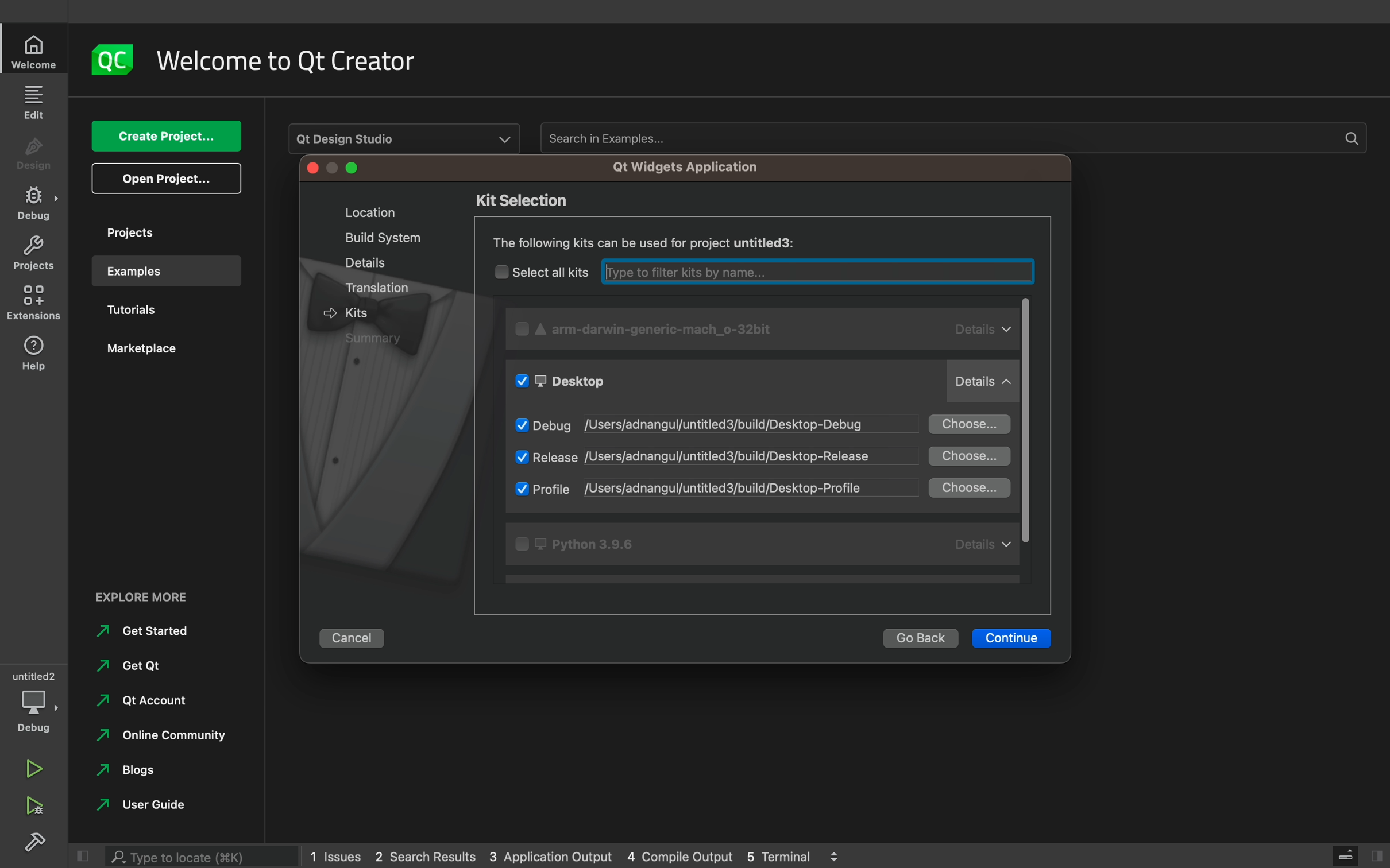 The image size is (1390, 868). What do you see at coordinates (404, 138) in the screenshot?
I see `Qt Design` at bounding box center [404, 138].